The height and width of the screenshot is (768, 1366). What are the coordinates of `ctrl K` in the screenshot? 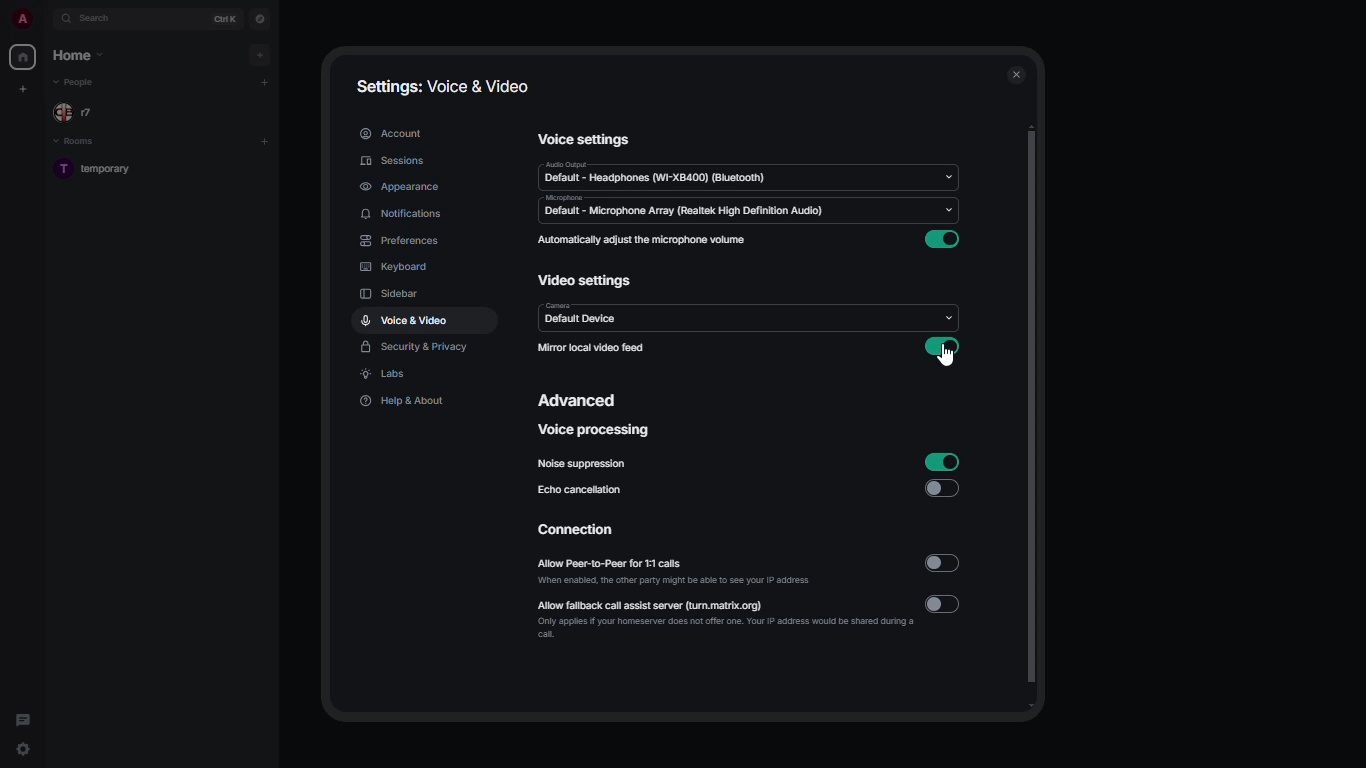 It's located at (224, 19).